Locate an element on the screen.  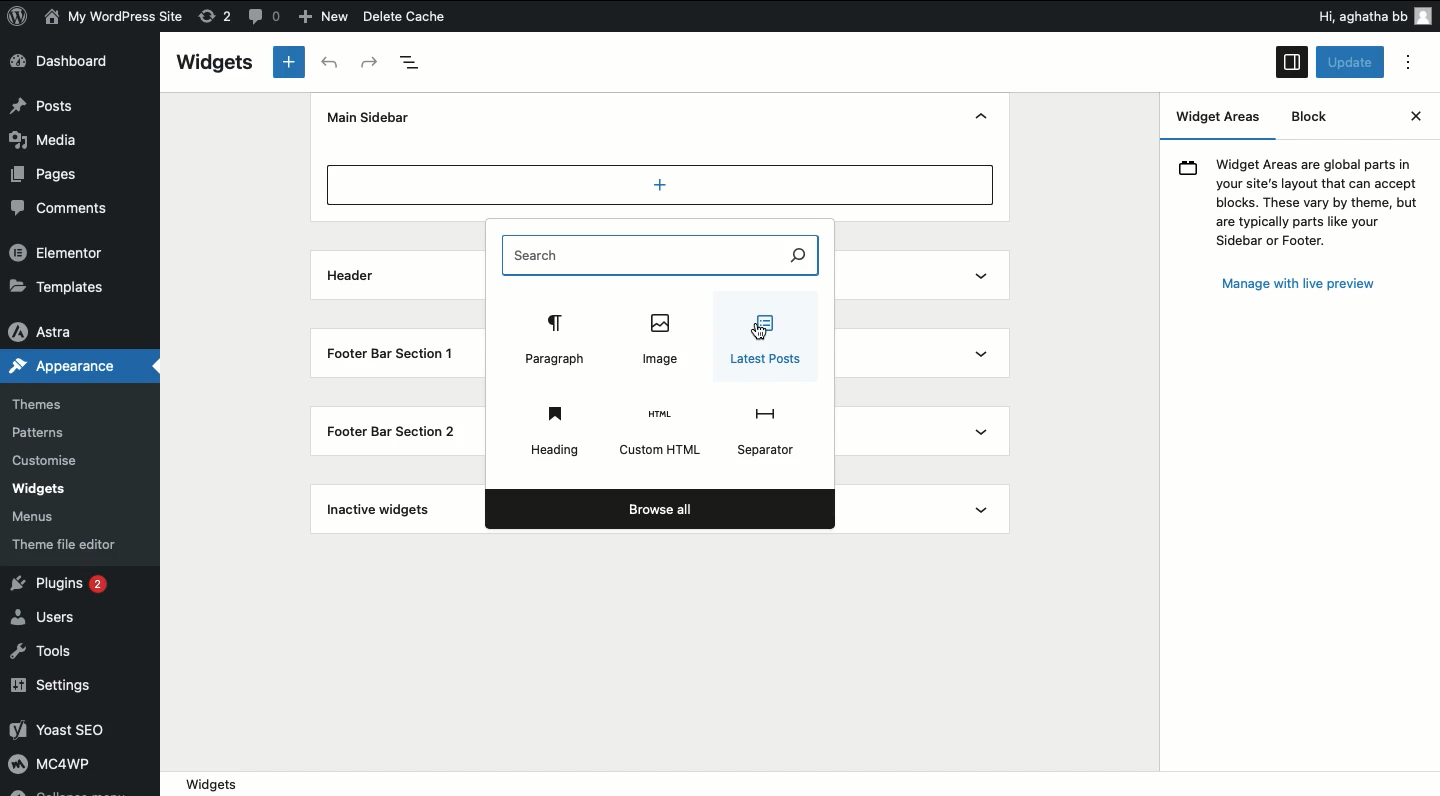
widgets is located at coordinates (55, 484).